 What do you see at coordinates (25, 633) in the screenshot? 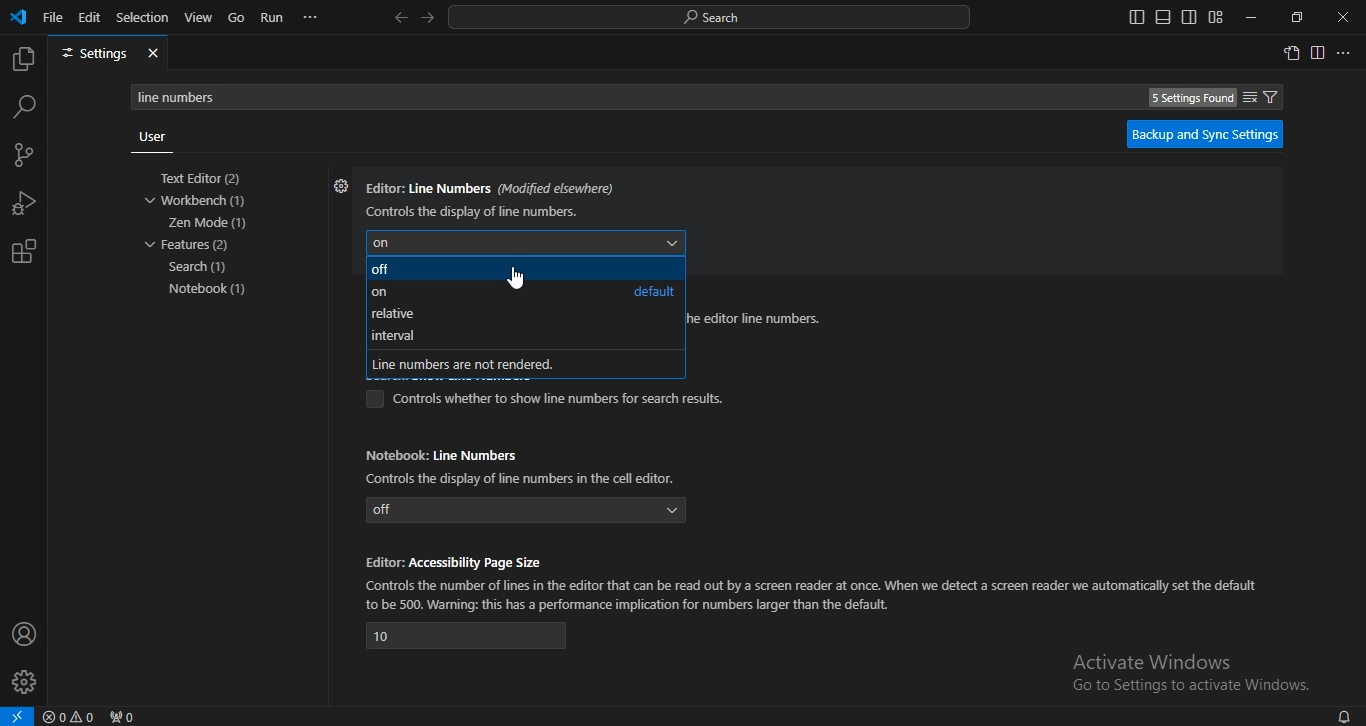
I see `accounts` at bounding box center [25, 633].